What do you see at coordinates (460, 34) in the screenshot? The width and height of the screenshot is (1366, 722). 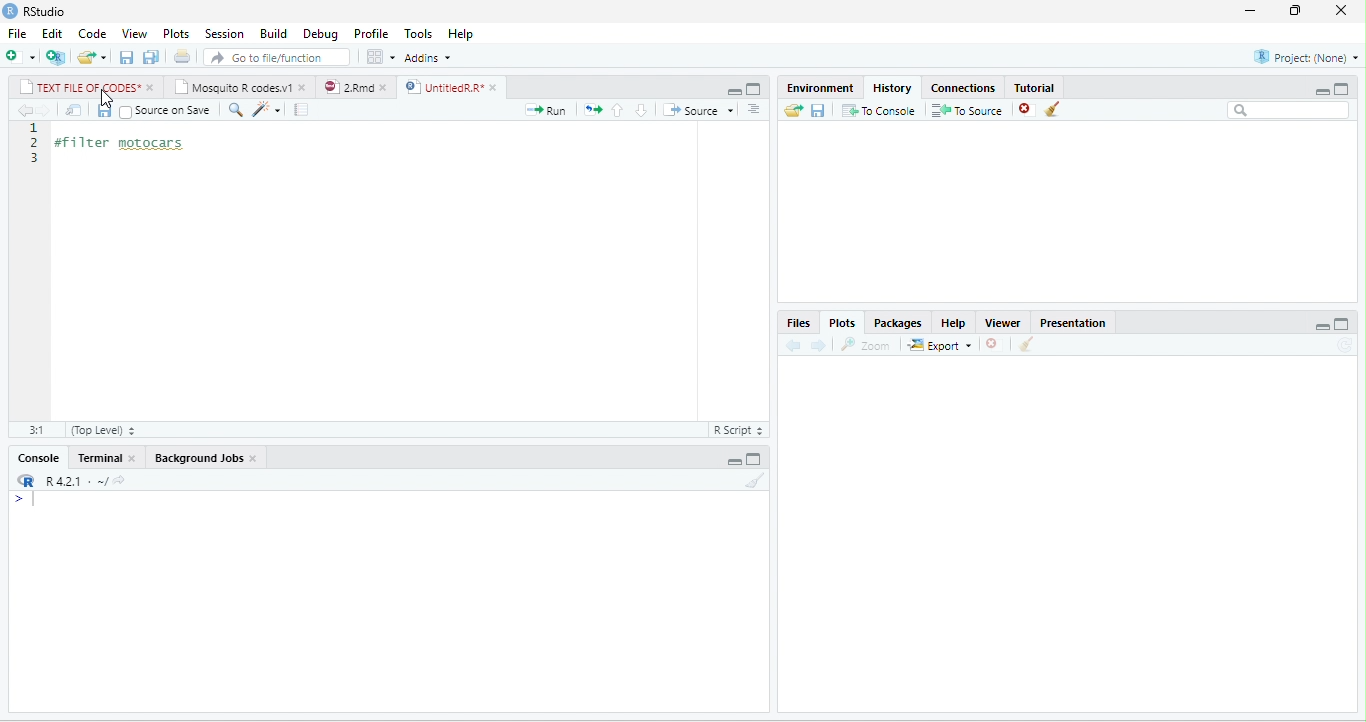 I see `Help` at bounding box center [460, 34].